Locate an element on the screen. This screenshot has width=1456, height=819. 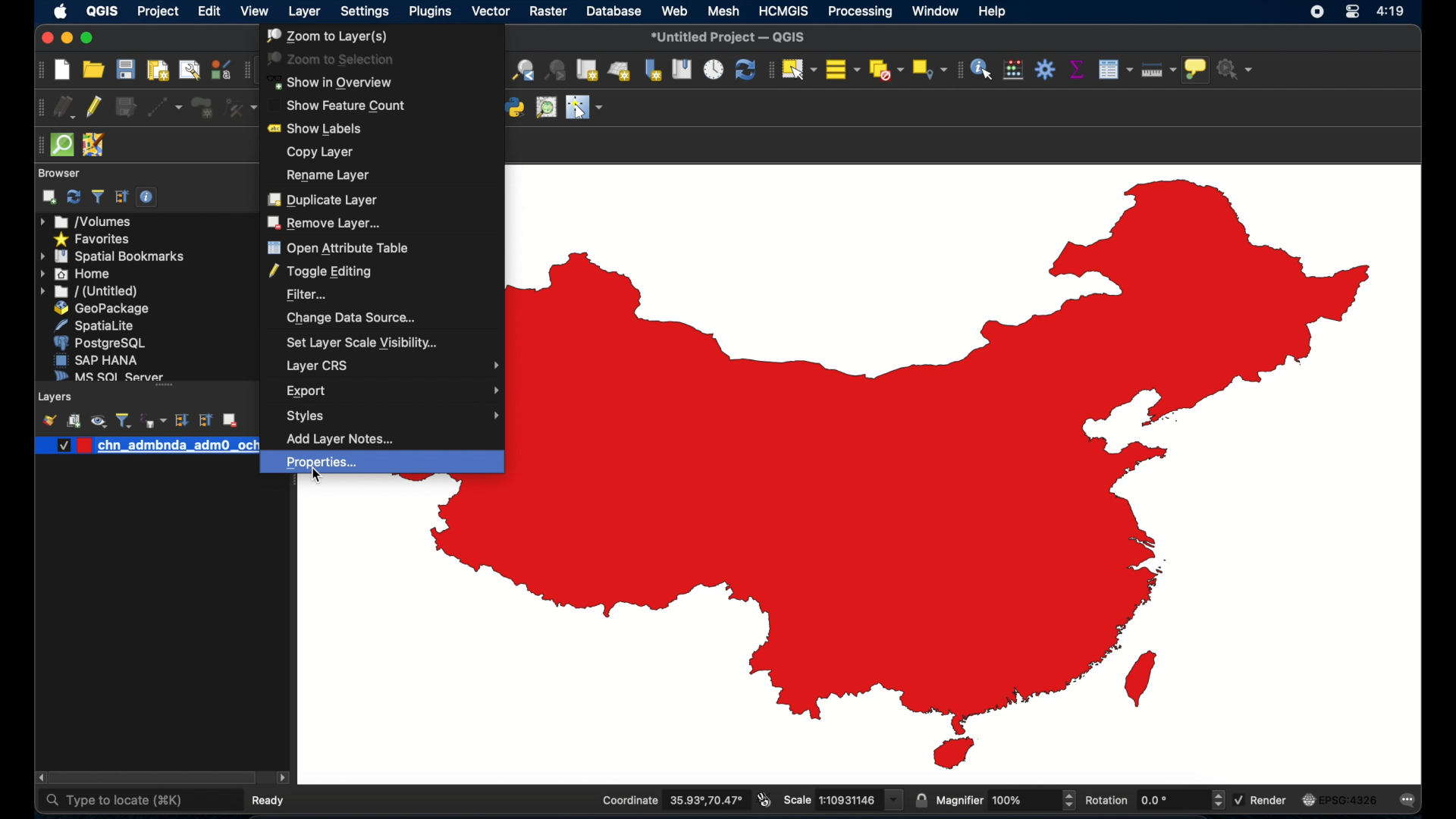
toolbox is located at coordinates (1046, 71).